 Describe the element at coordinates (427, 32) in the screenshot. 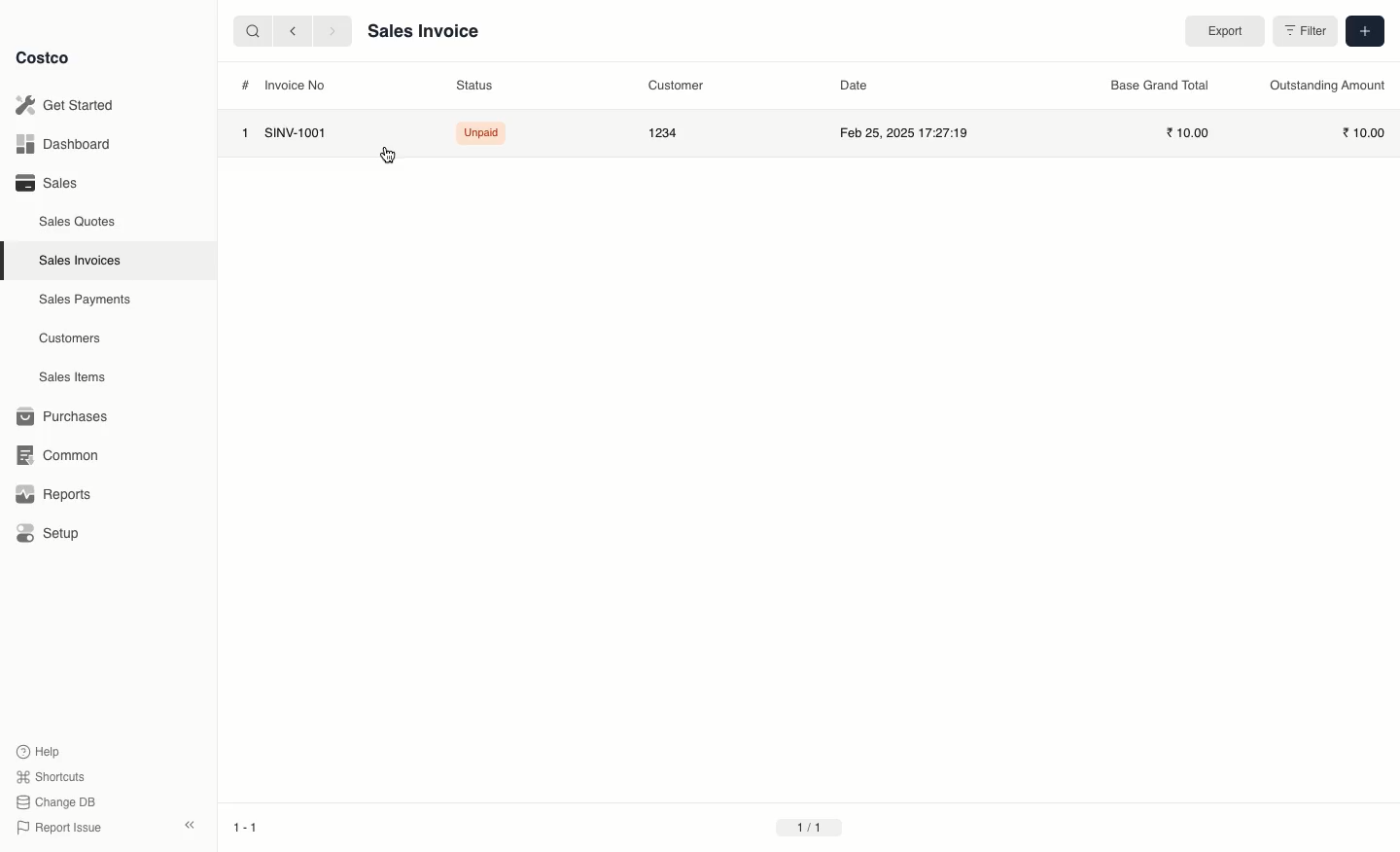

I see `Sales Invoice` at that location.